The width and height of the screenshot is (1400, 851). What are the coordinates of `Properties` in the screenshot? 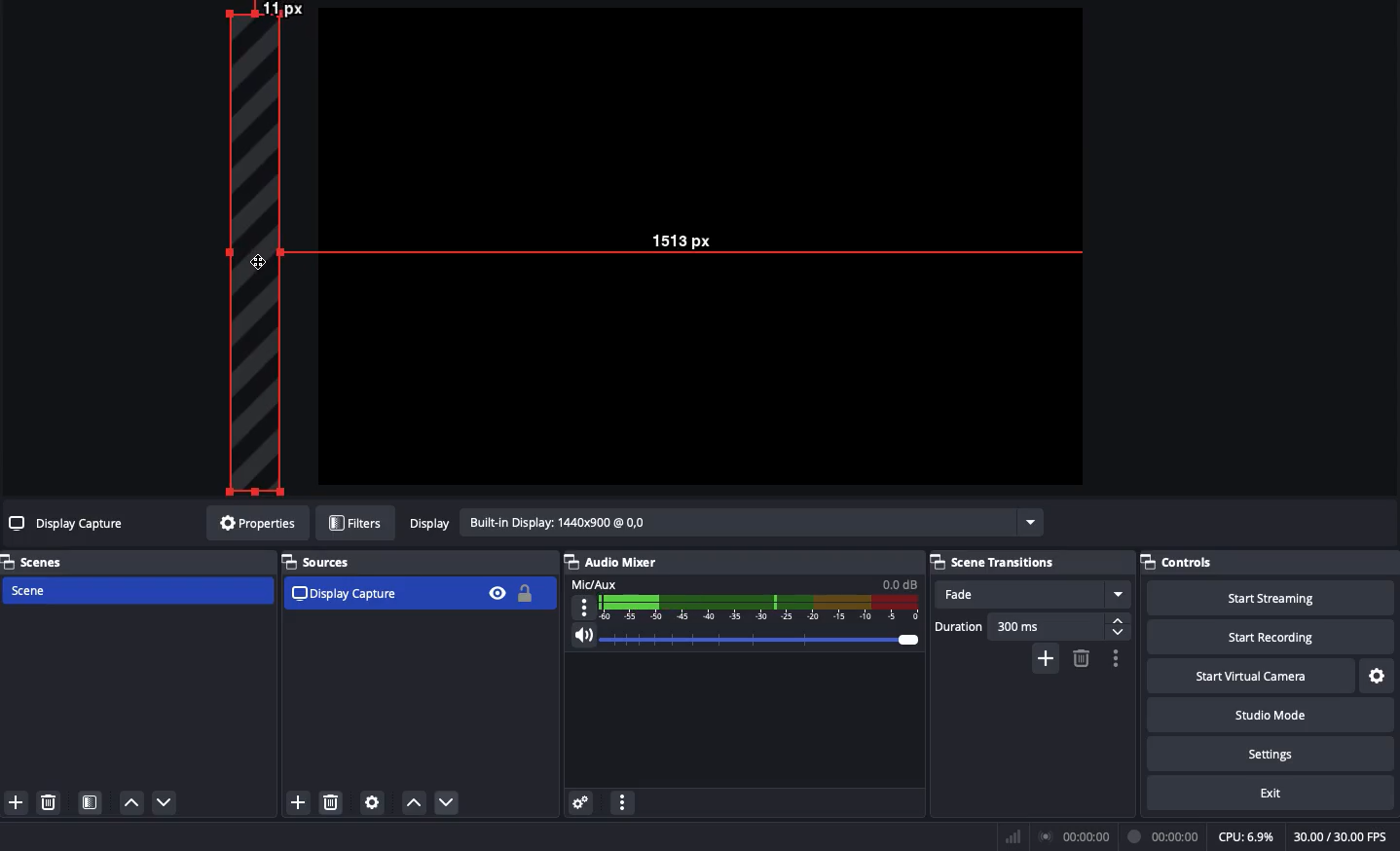 It's located at (254, 523).